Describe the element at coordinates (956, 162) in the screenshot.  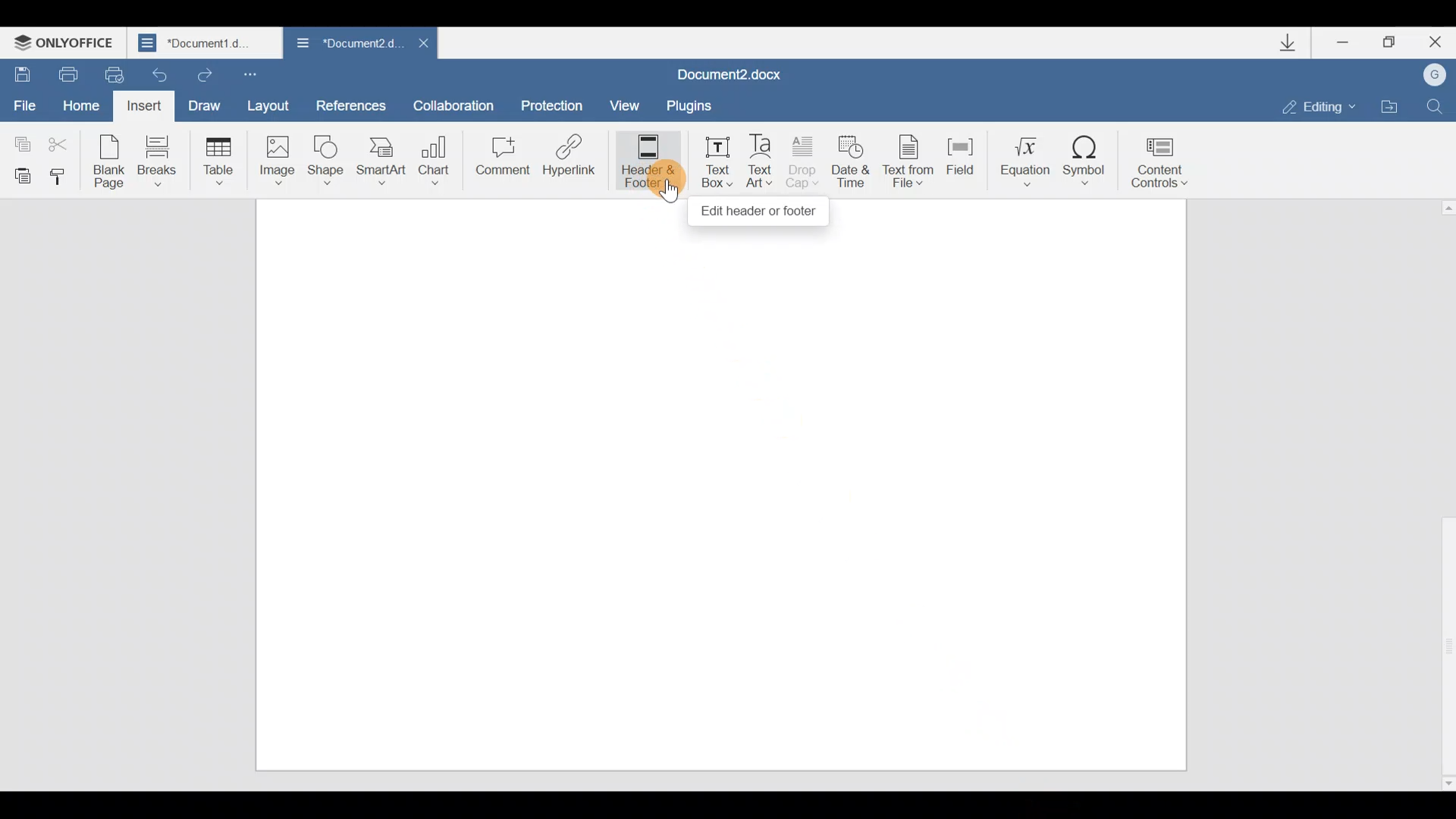
I see `Field` at that location.